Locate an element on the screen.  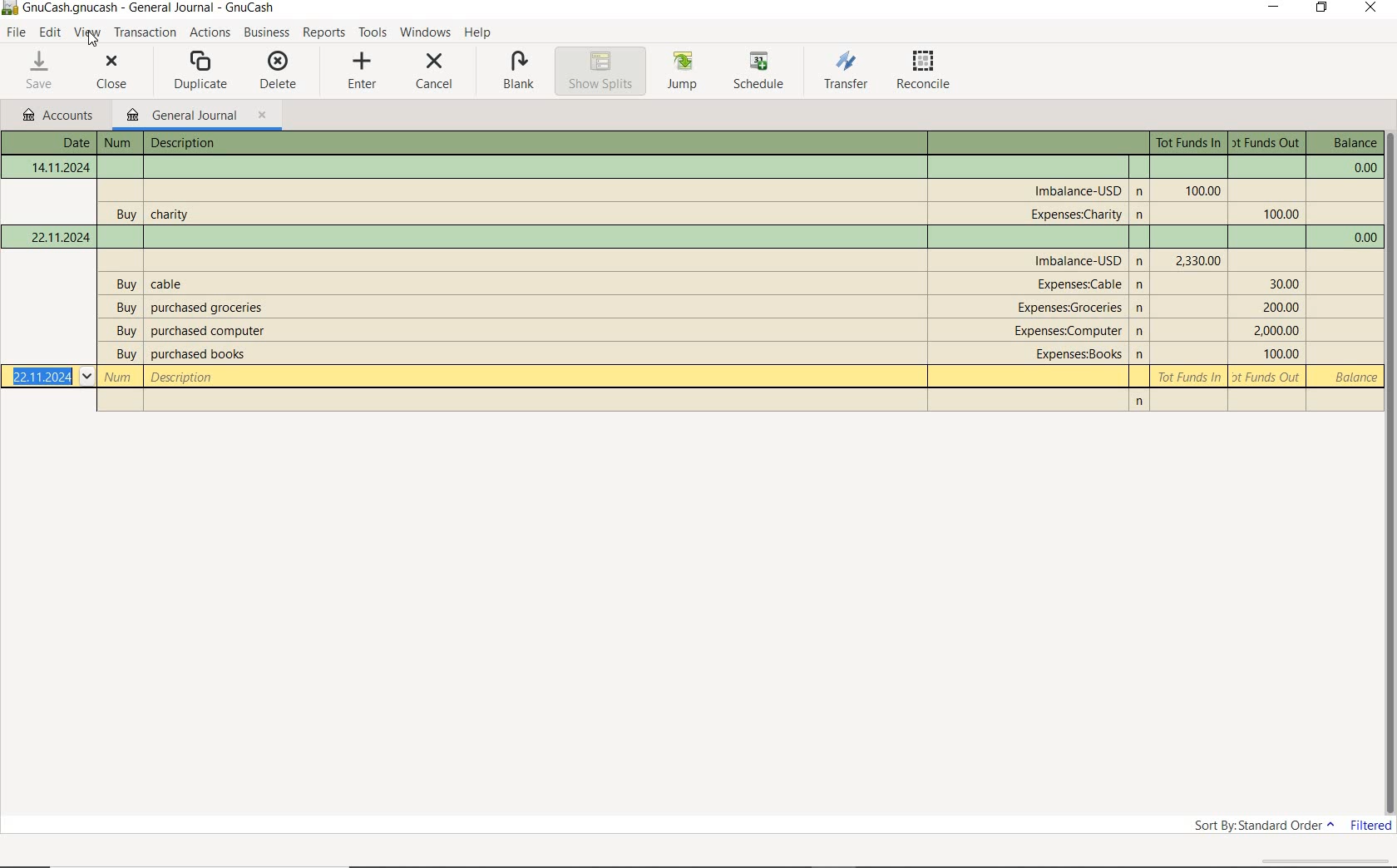
account is located at coordinates (1075, 355).